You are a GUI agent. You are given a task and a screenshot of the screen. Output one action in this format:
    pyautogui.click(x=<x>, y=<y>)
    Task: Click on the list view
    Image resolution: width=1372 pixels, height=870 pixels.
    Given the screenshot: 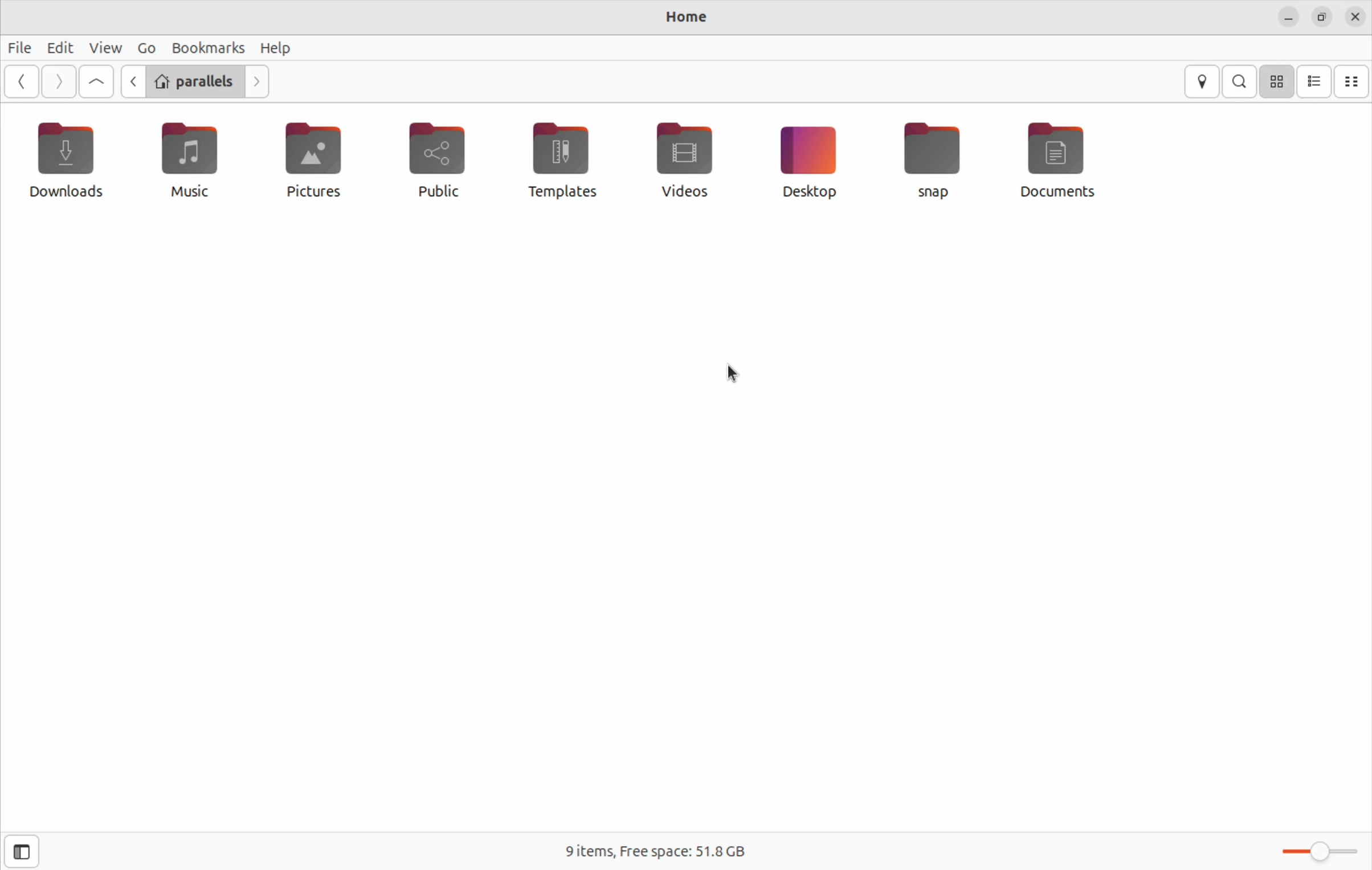 What is the action you would take?
    pyautogui.click(x=1316, y=81)
    